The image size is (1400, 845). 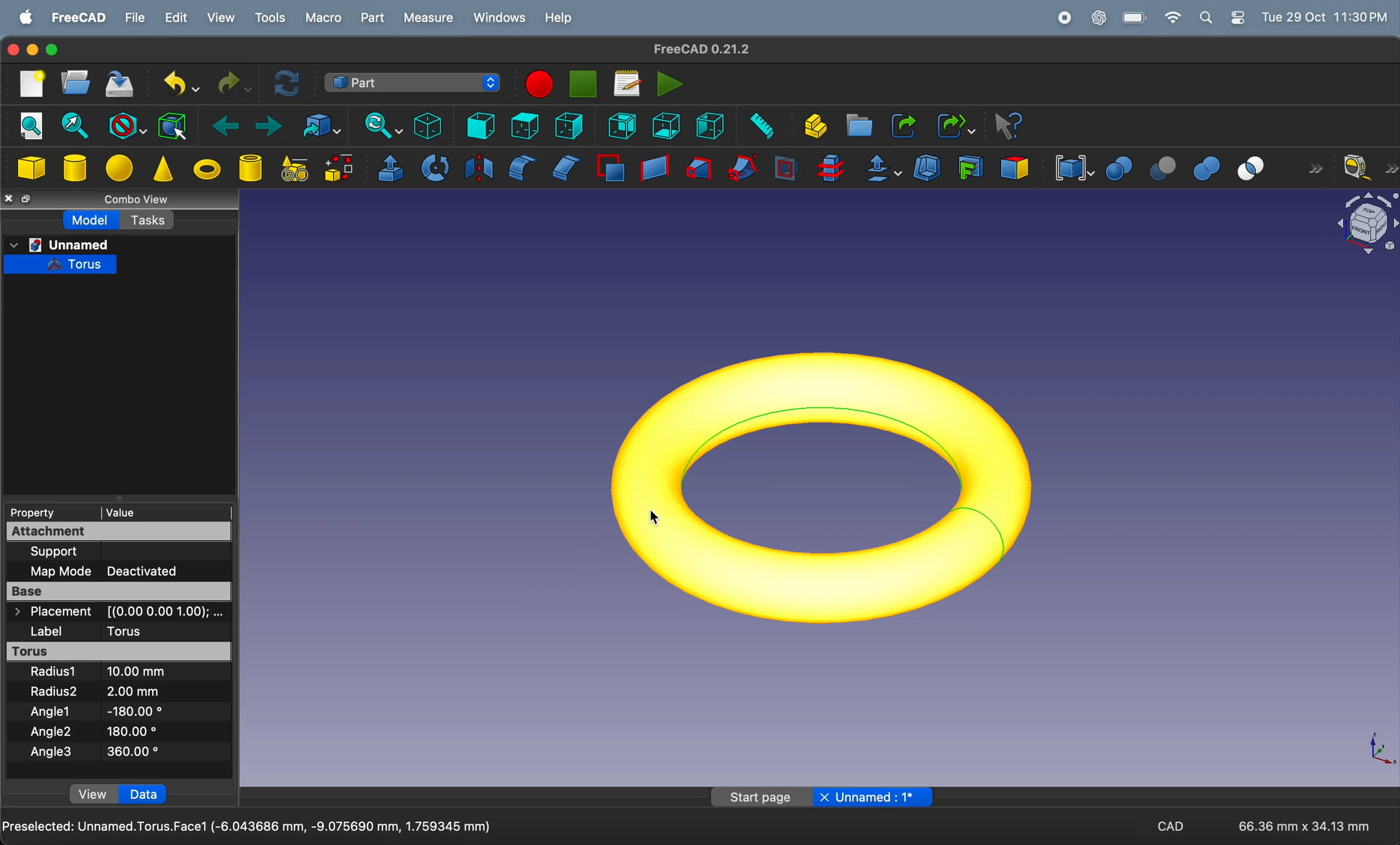 What do you see at coordinates (119, 169) in the screenshot?
I see `sphere` at bounding box center [119, 169].